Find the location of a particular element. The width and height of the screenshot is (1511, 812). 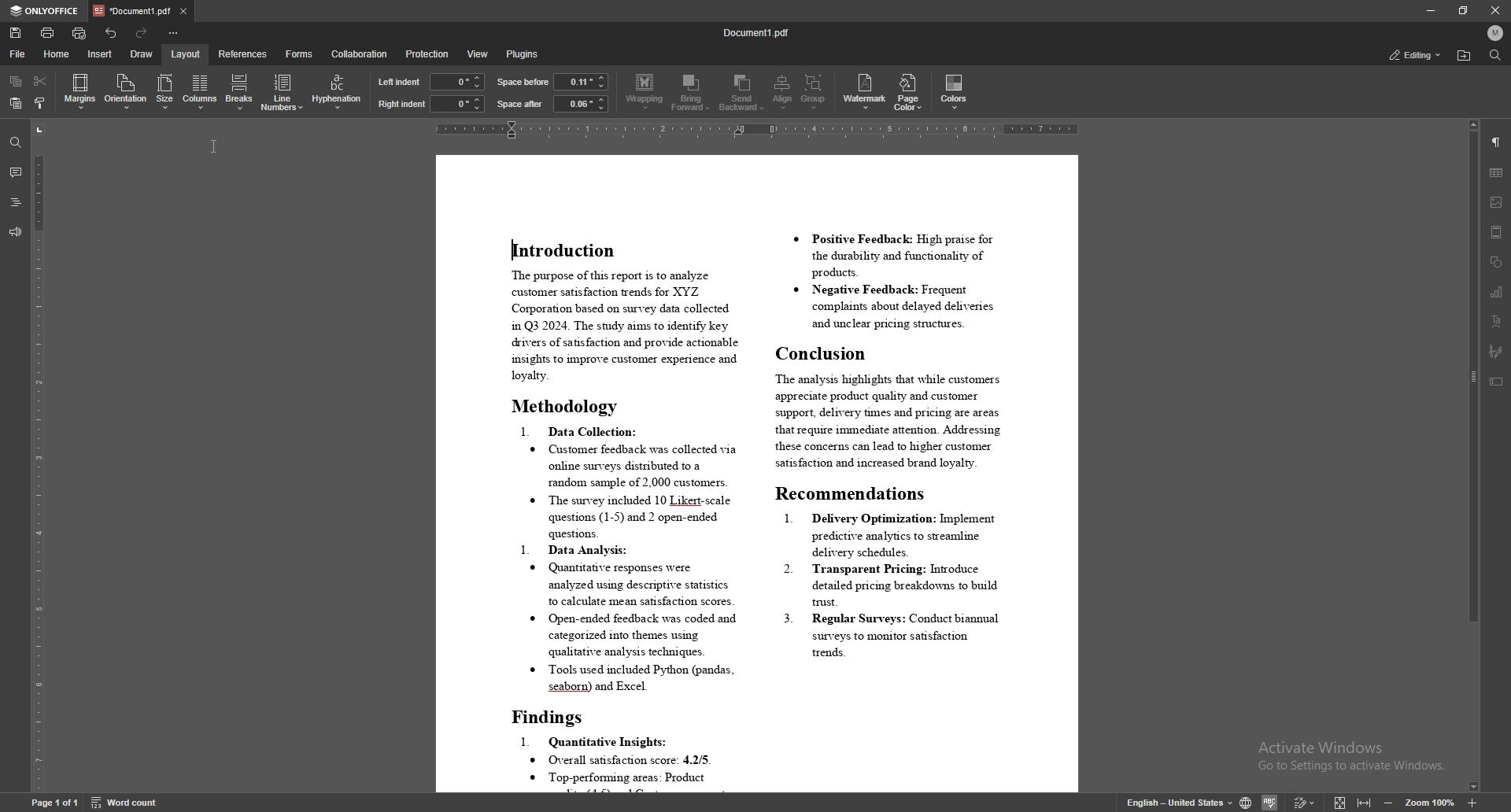

signature field is located at coordinates (1496, 351).